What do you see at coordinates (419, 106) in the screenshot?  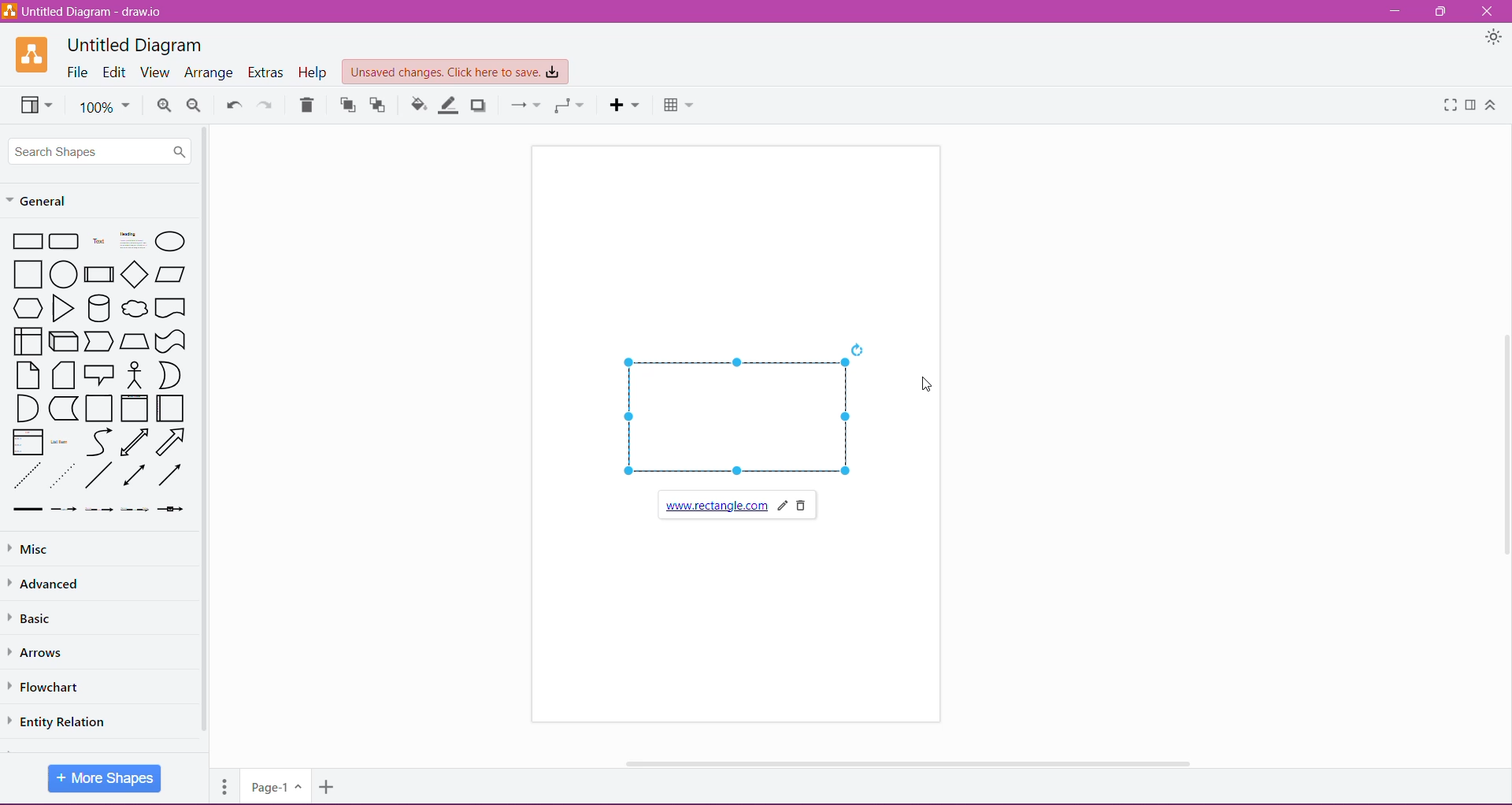 I see `Fill Color` at bounding box center [419, 106].